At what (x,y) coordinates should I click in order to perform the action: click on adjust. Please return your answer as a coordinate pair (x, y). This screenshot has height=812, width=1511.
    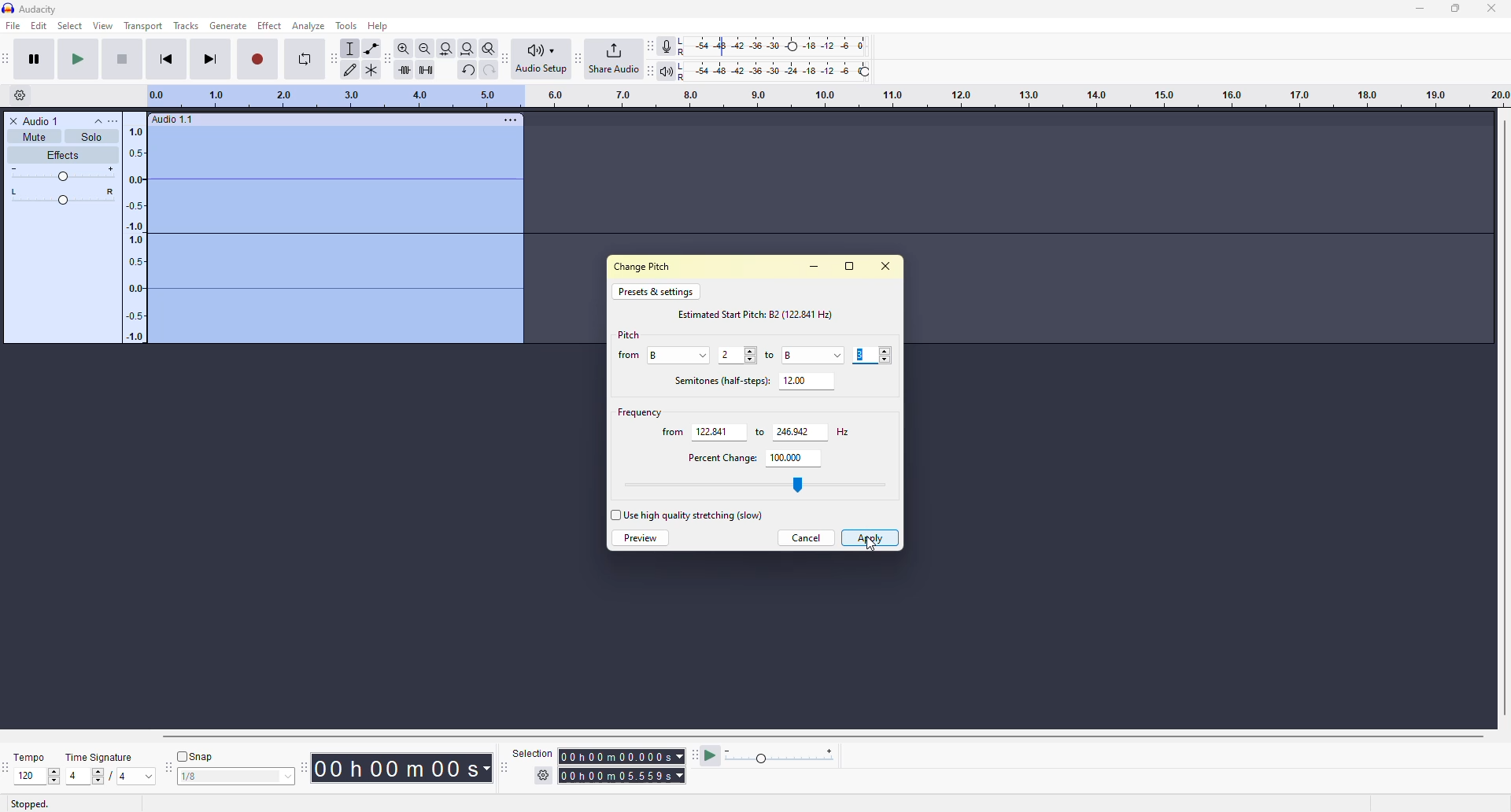
    Looking at the image, I should click on (64, 174).